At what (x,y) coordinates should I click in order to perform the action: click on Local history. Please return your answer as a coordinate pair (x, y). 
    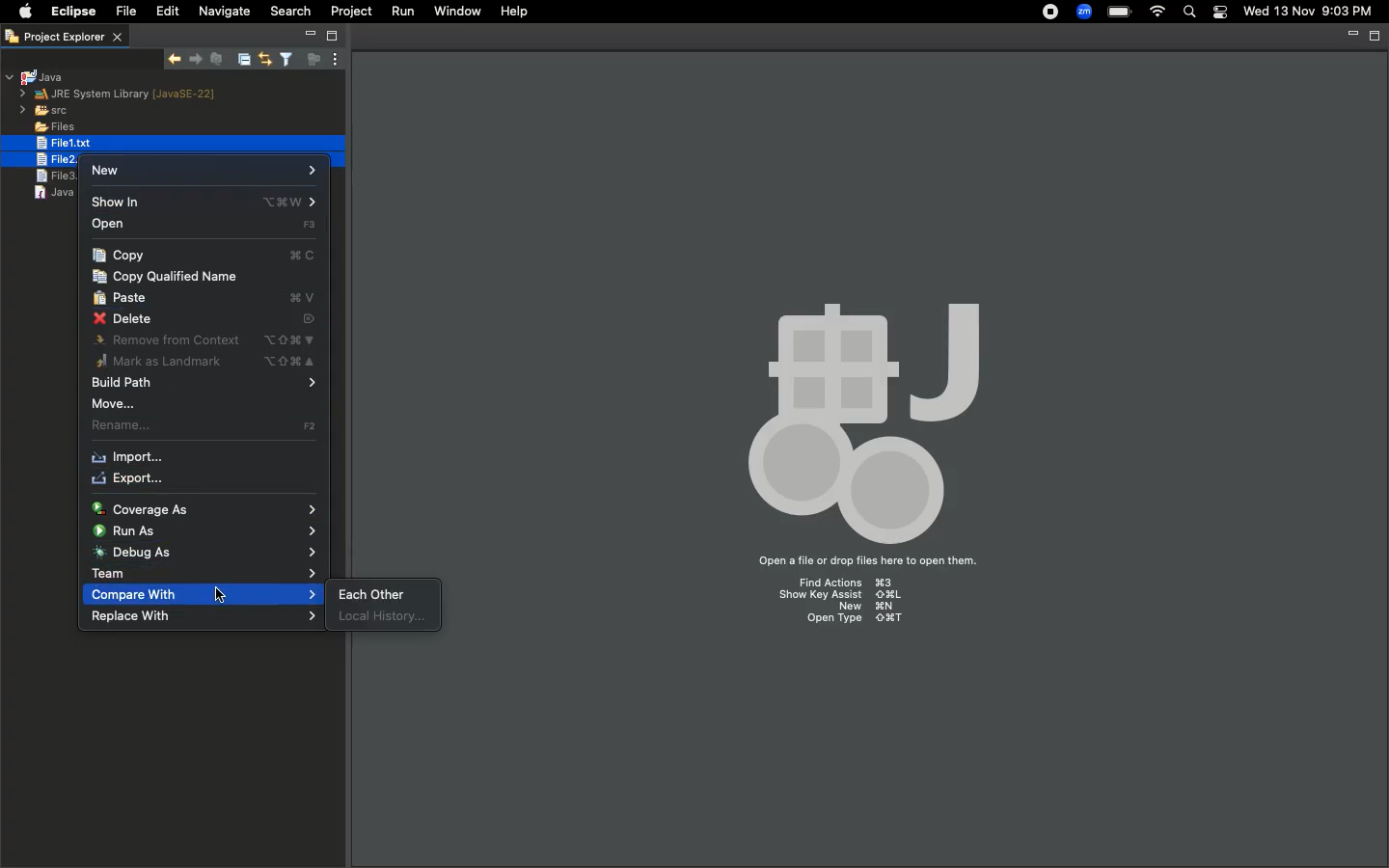
    Looking at the image, I should click on (385, 616).